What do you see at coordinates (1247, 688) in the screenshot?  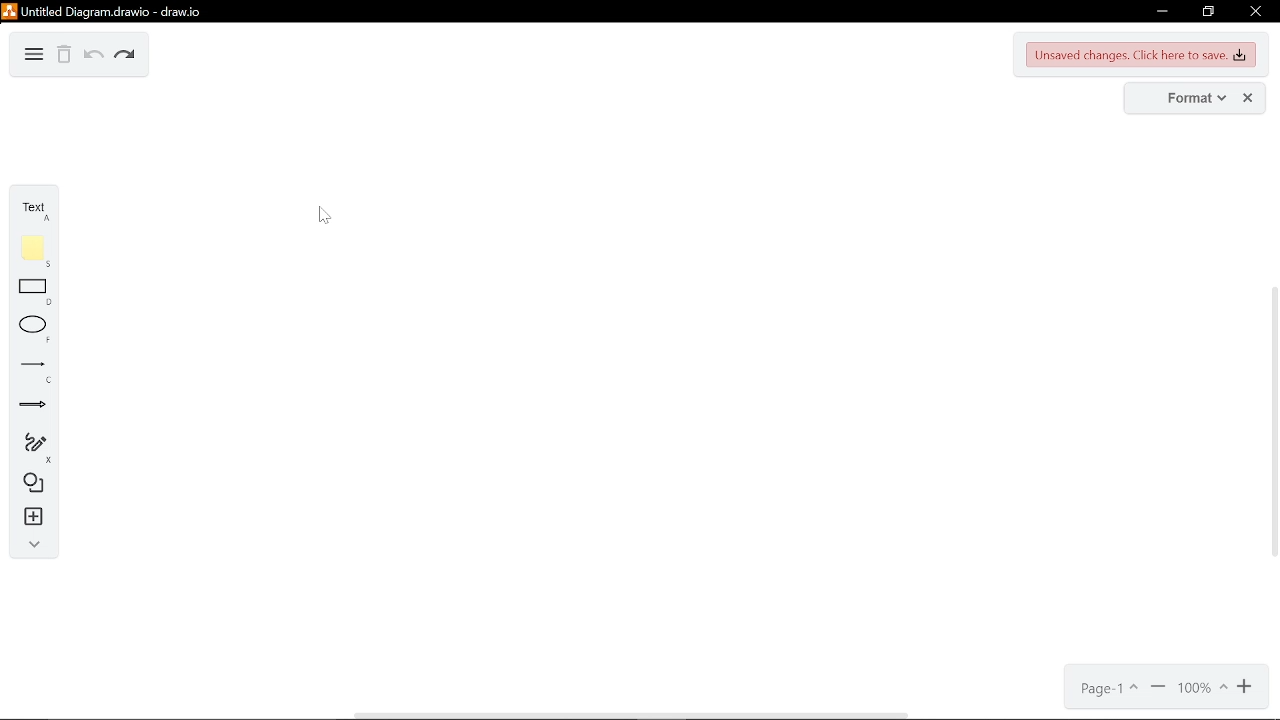 I see `zoom in` at bounding box center [1247, 688].